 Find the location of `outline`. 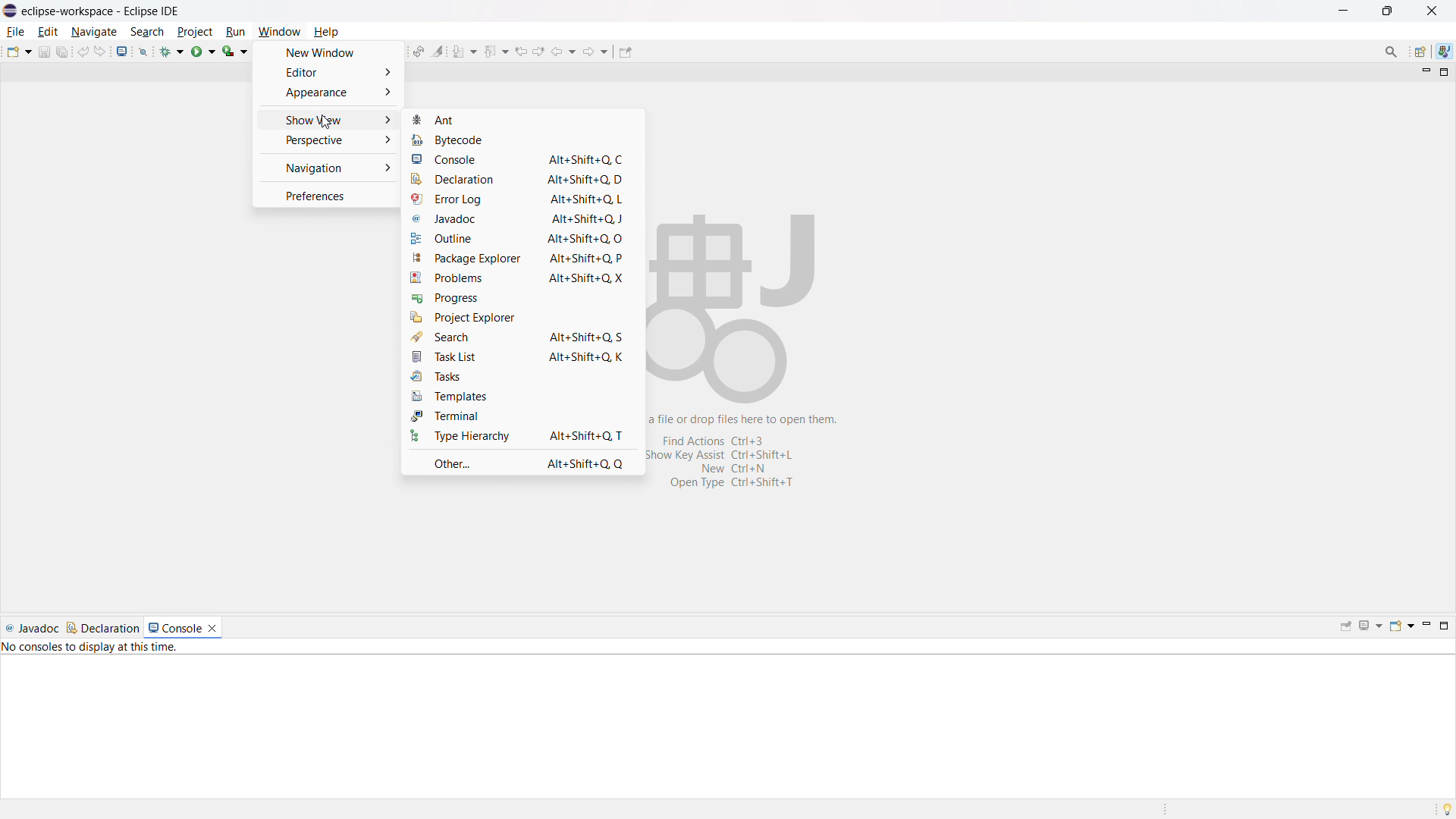

outline is located at coordinates (522, 239).